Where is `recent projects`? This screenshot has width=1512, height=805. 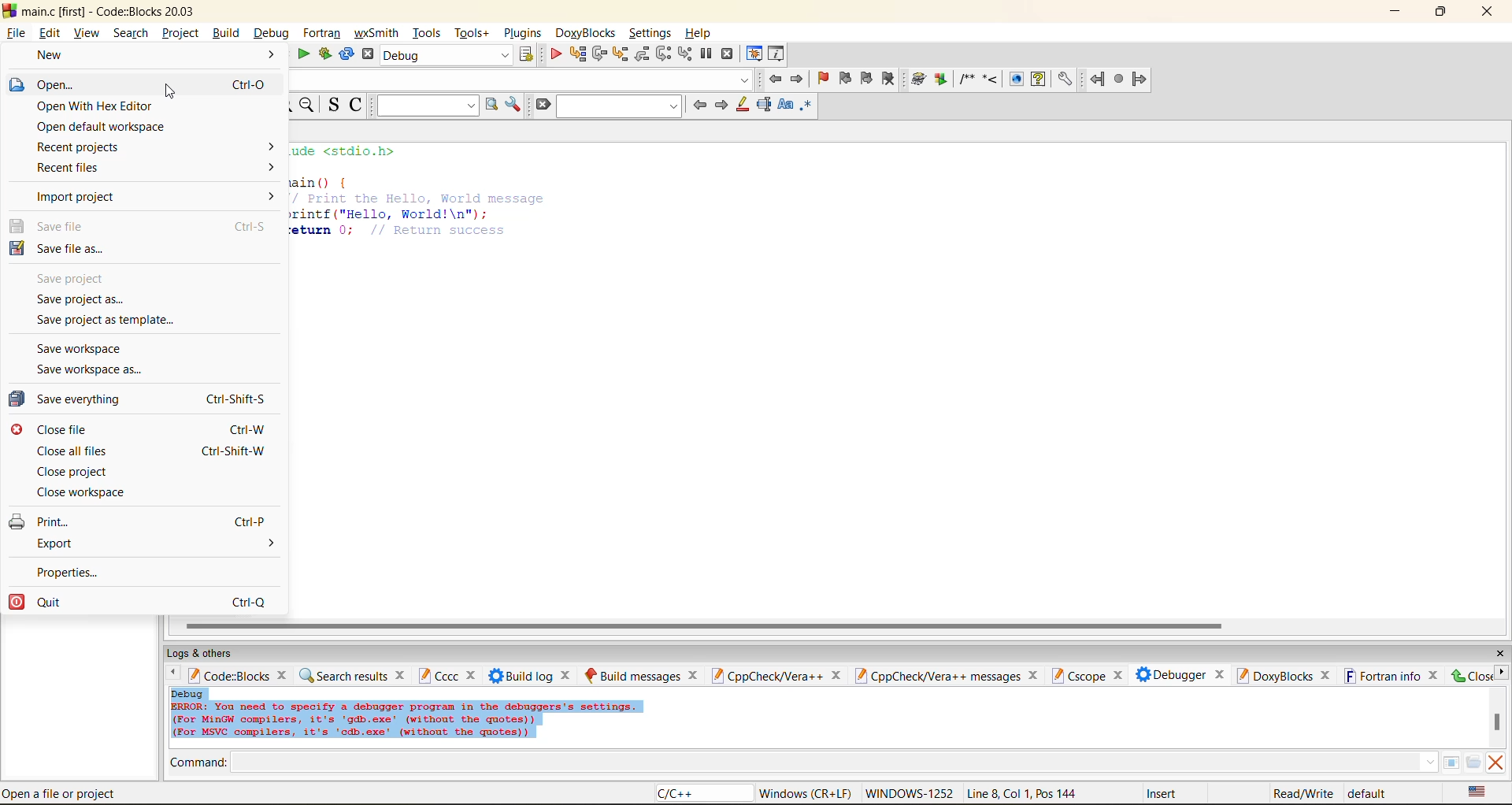
recent projects is located at coordinates (157, 147).